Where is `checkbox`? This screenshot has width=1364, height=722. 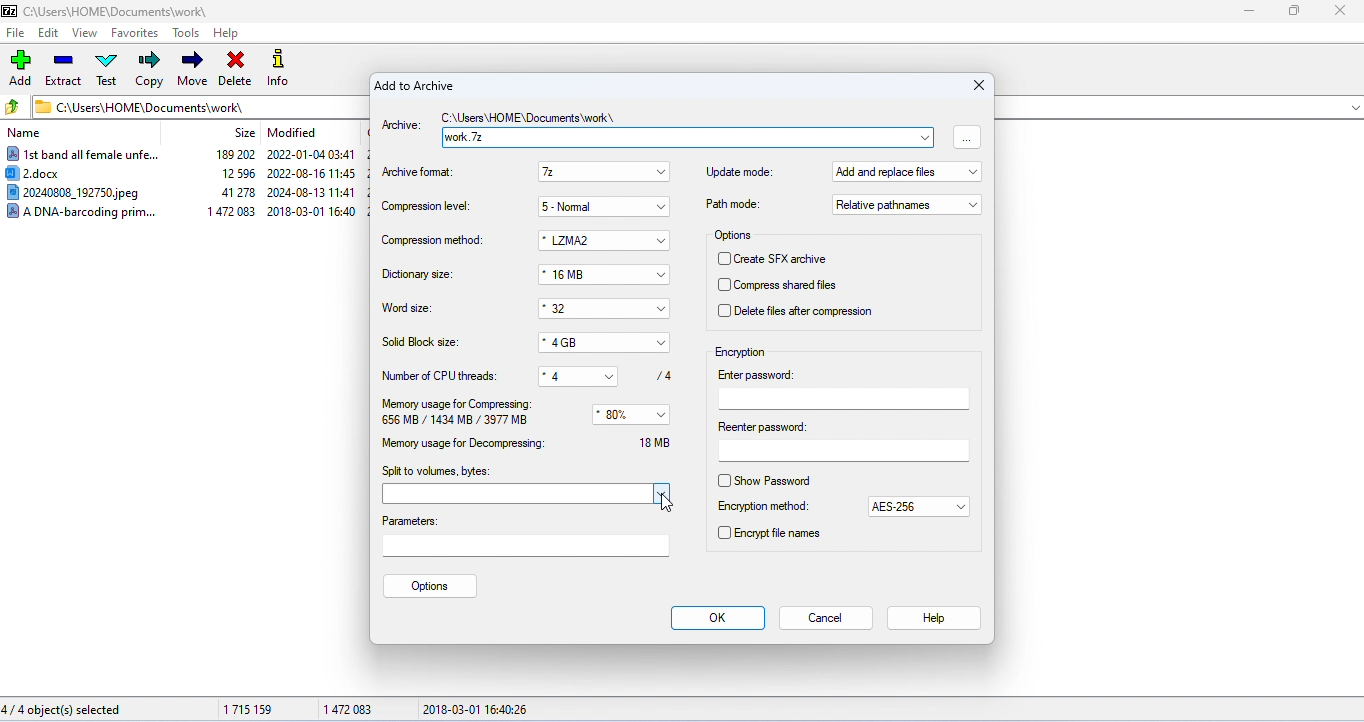 checkbox is located at coordinates (723, 259).